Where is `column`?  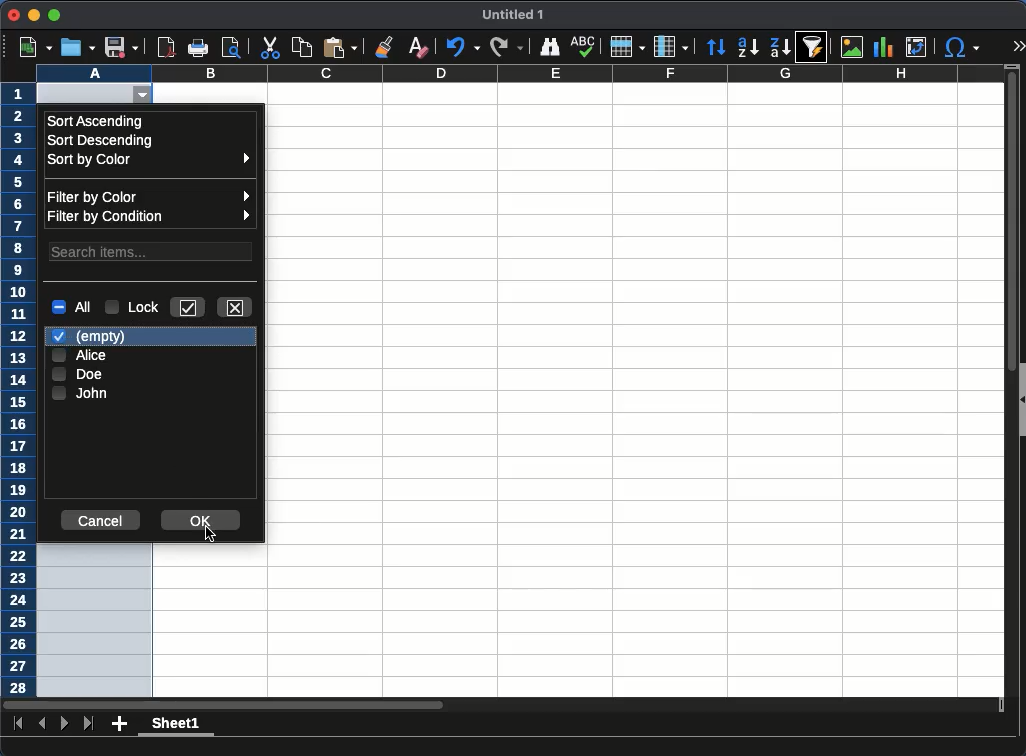 column is located at coordinates (519, 73).